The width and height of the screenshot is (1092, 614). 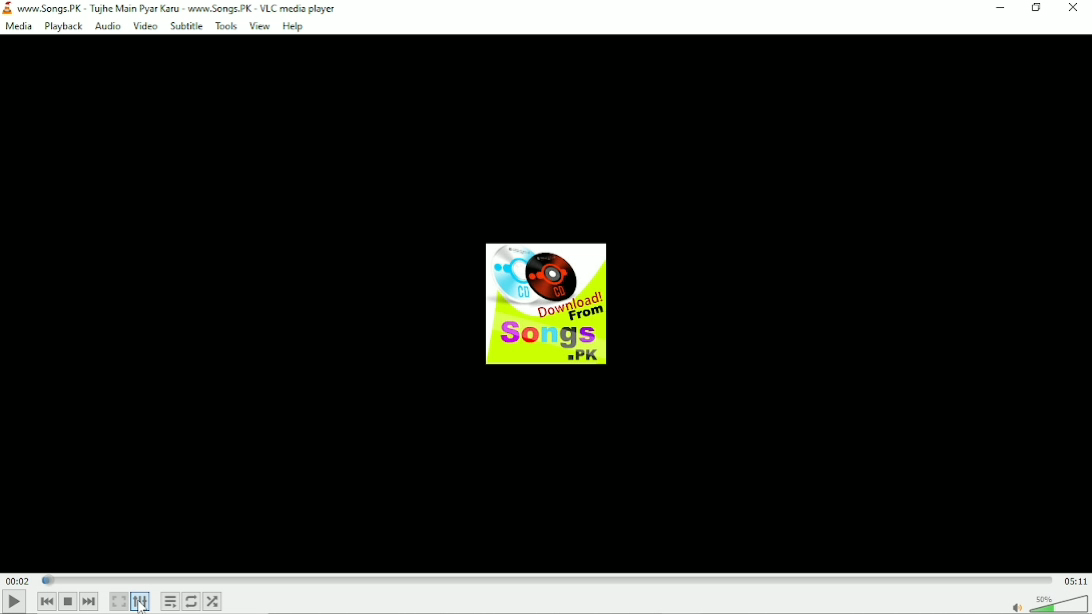 What do you see at coordinates (547, 579) in the screenshot?
I see `Play duration` at bounding box center [547, 579].